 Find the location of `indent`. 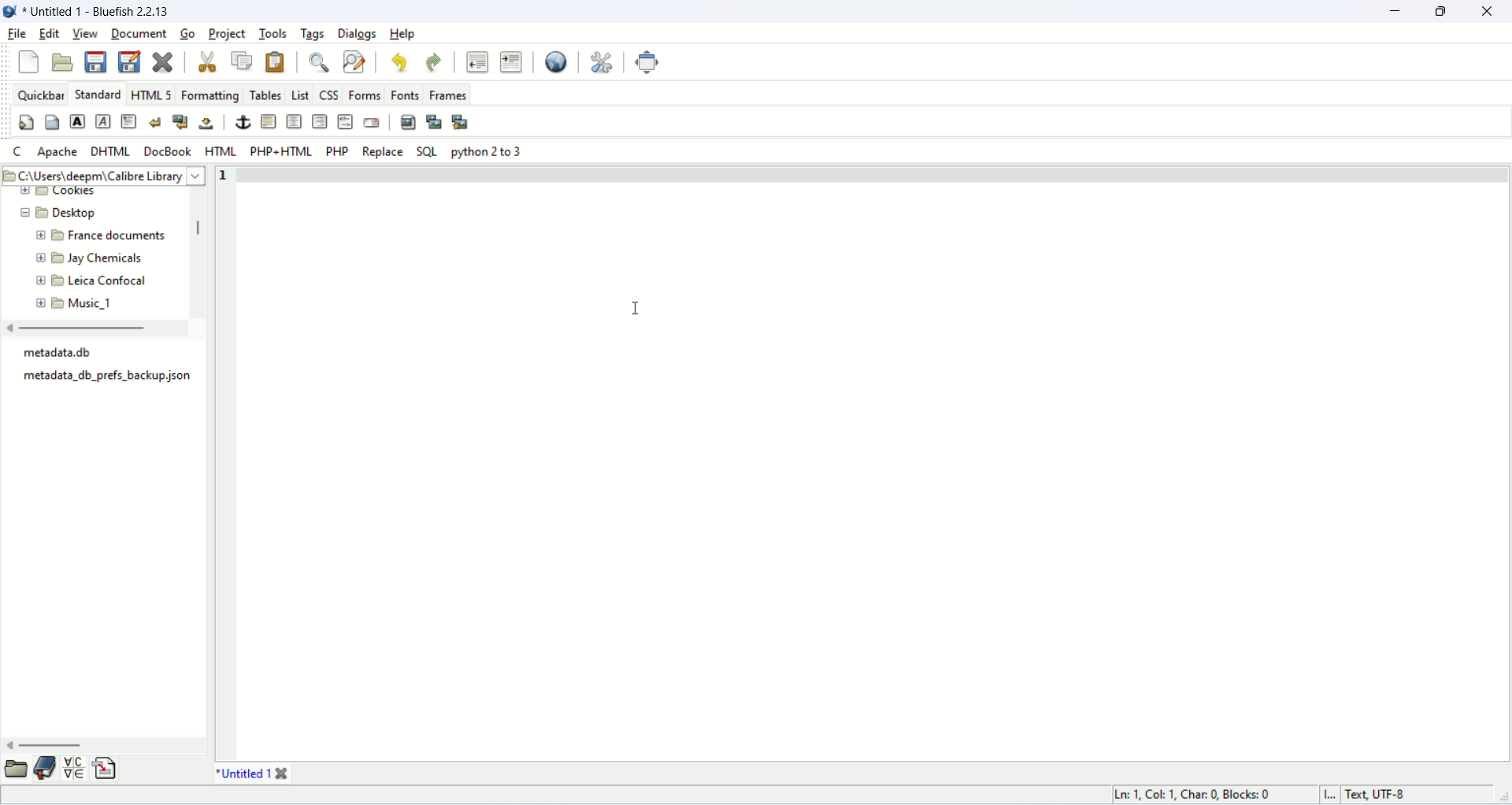

indent is located at coordinates (512, 61).